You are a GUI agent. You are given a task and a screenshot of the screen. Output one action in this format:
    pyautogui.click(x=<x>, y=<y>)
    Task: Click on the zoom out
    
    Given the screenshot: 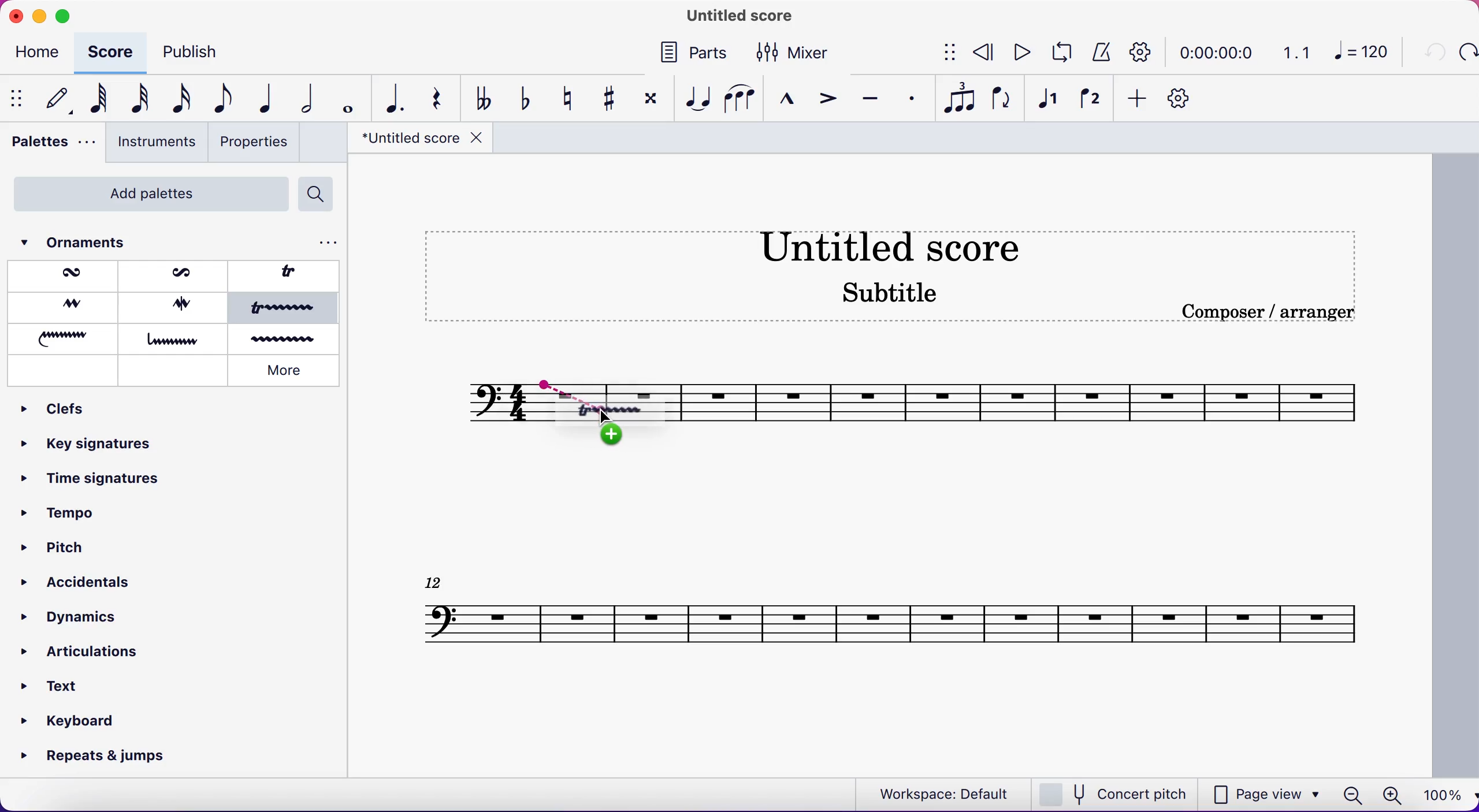 What is the action you would take?
    pyautogui.click(x=1351, y=795)
    